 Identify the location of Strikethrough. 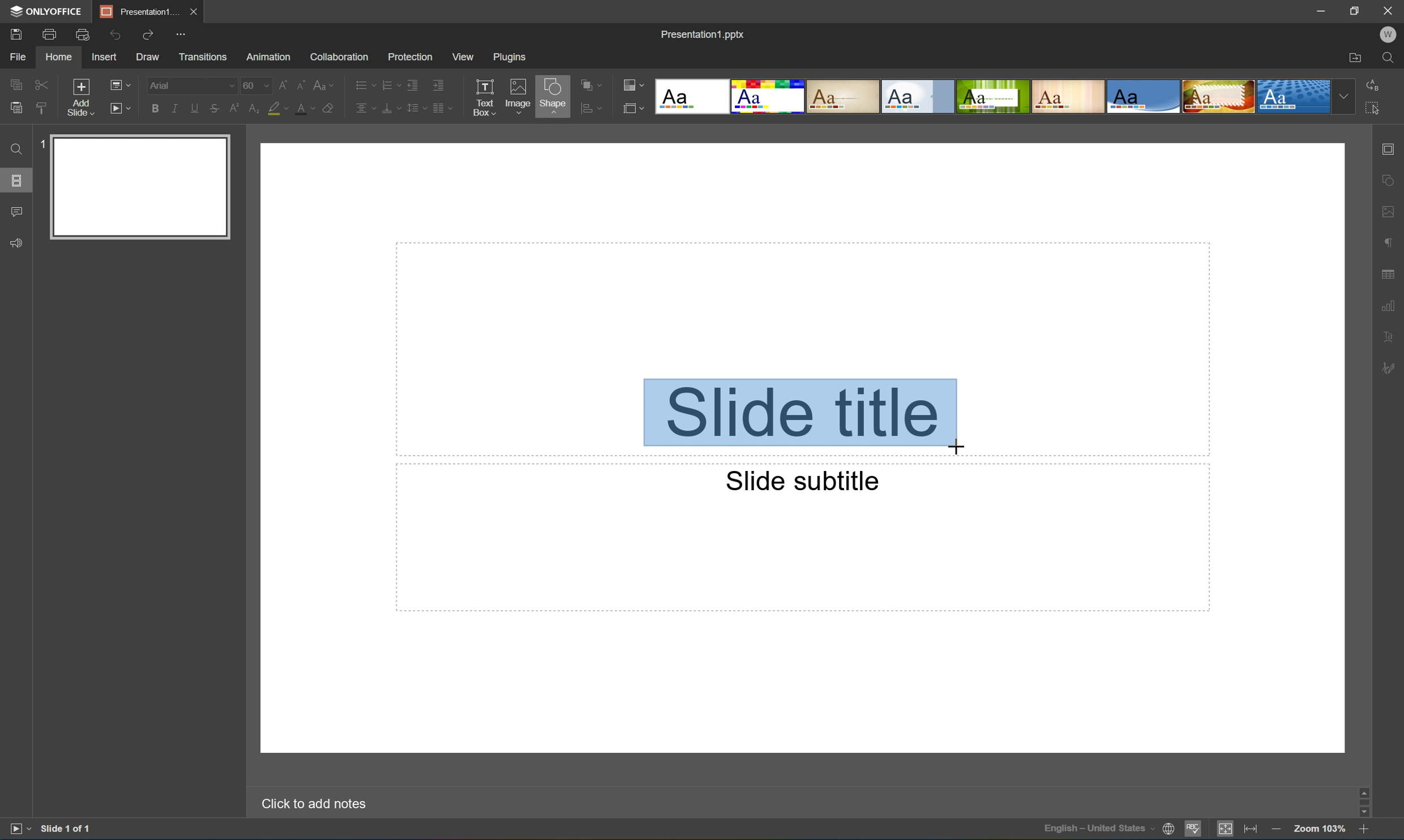
(214, 110).